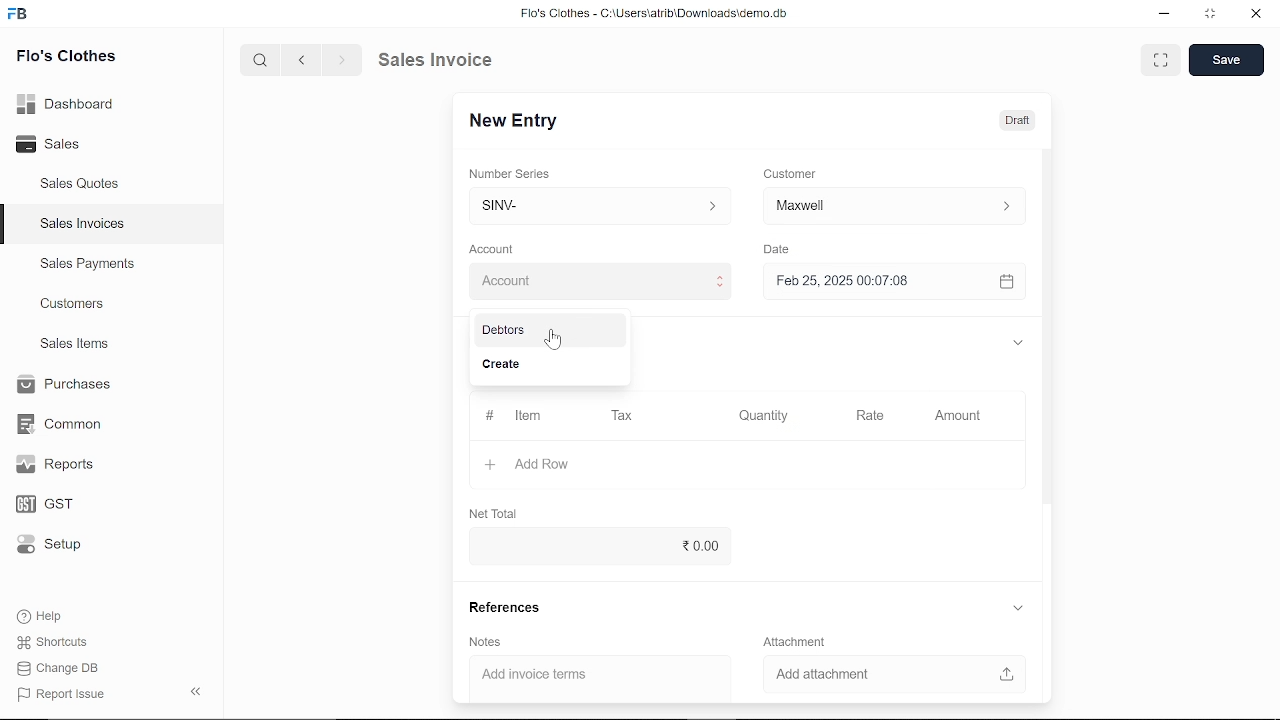 Image resolution: width=1280 pixels, height=720 pixels. Describe the element at coordinates (61, 693) in the screenshot. I see `Report Issue` at that location.